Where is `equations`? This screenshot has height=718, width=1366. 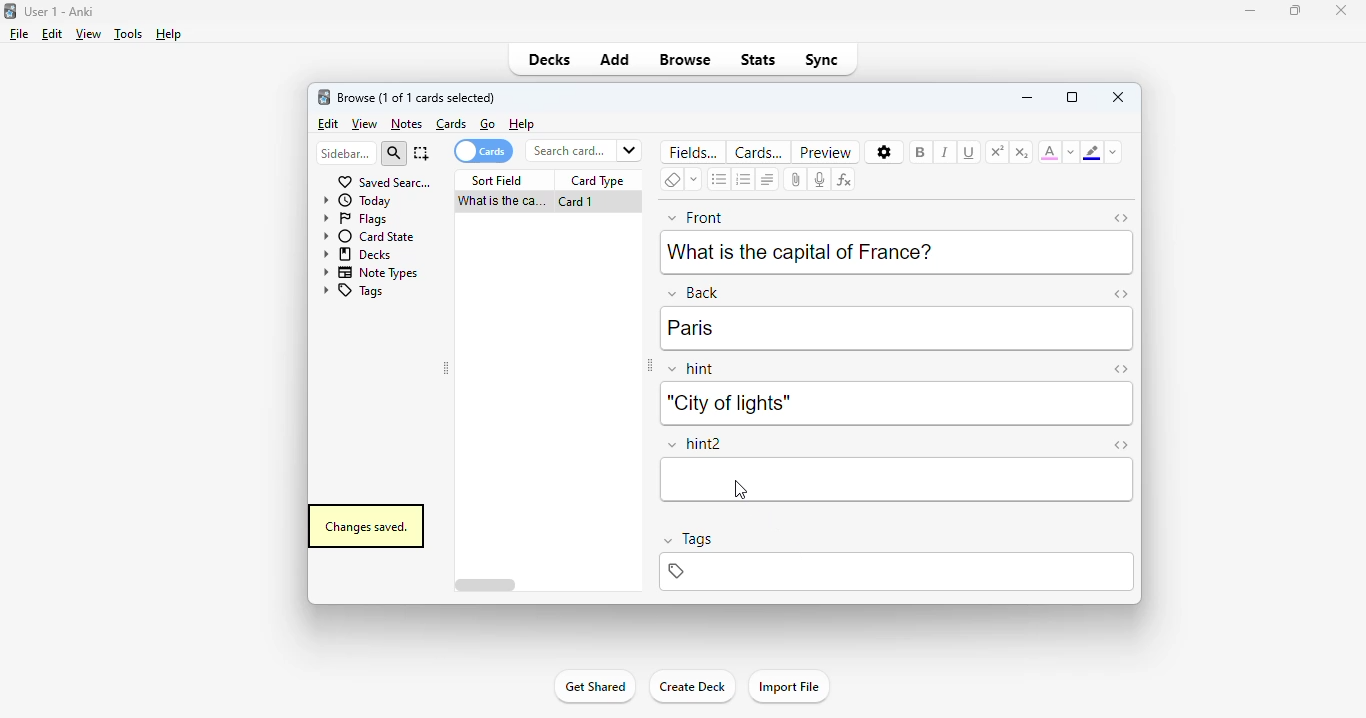
equations is located at coordinates (843, 180).